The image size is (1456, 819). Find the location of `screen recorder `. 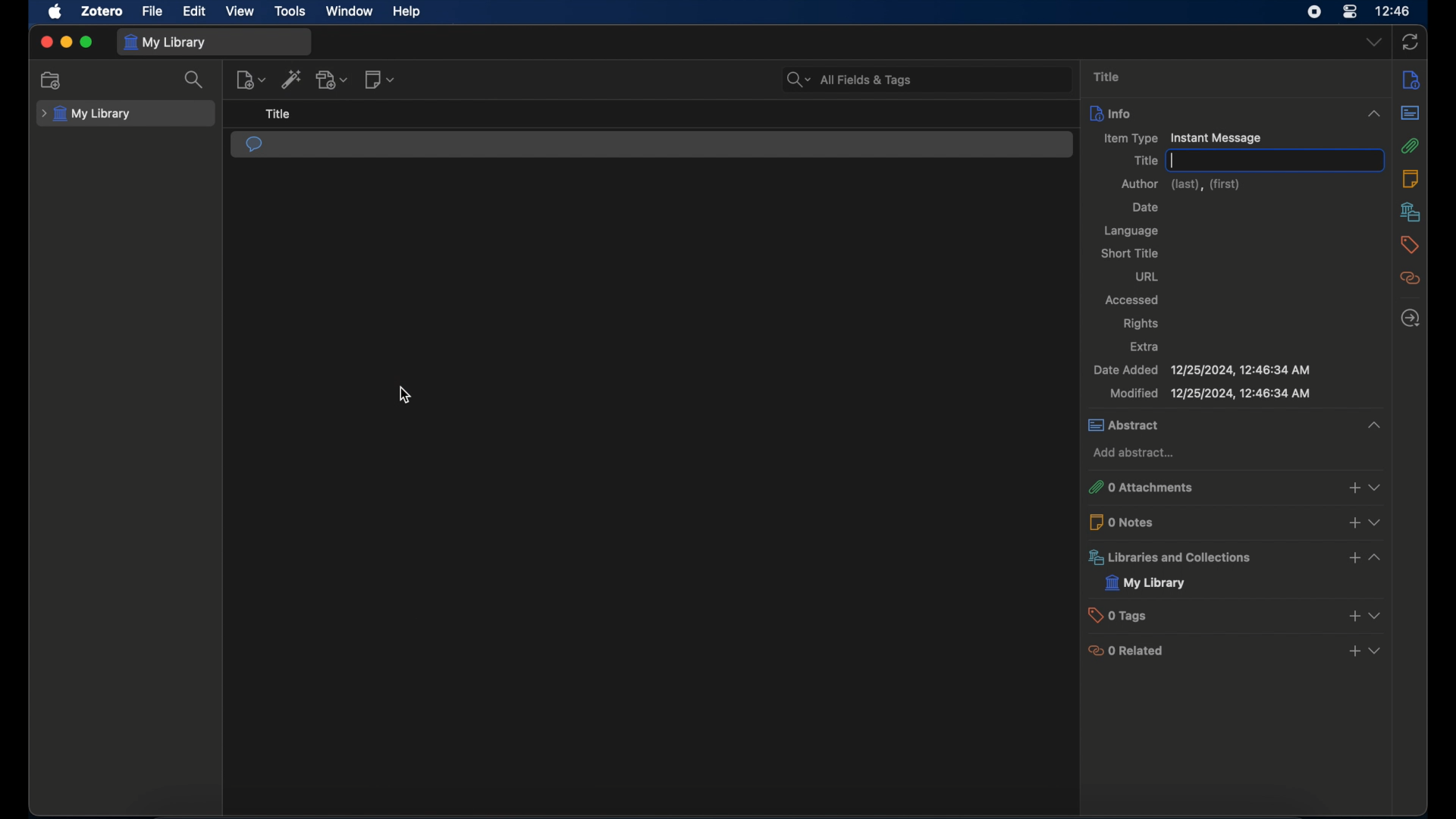

screen recorder  is located at coordinates (1313, 12).